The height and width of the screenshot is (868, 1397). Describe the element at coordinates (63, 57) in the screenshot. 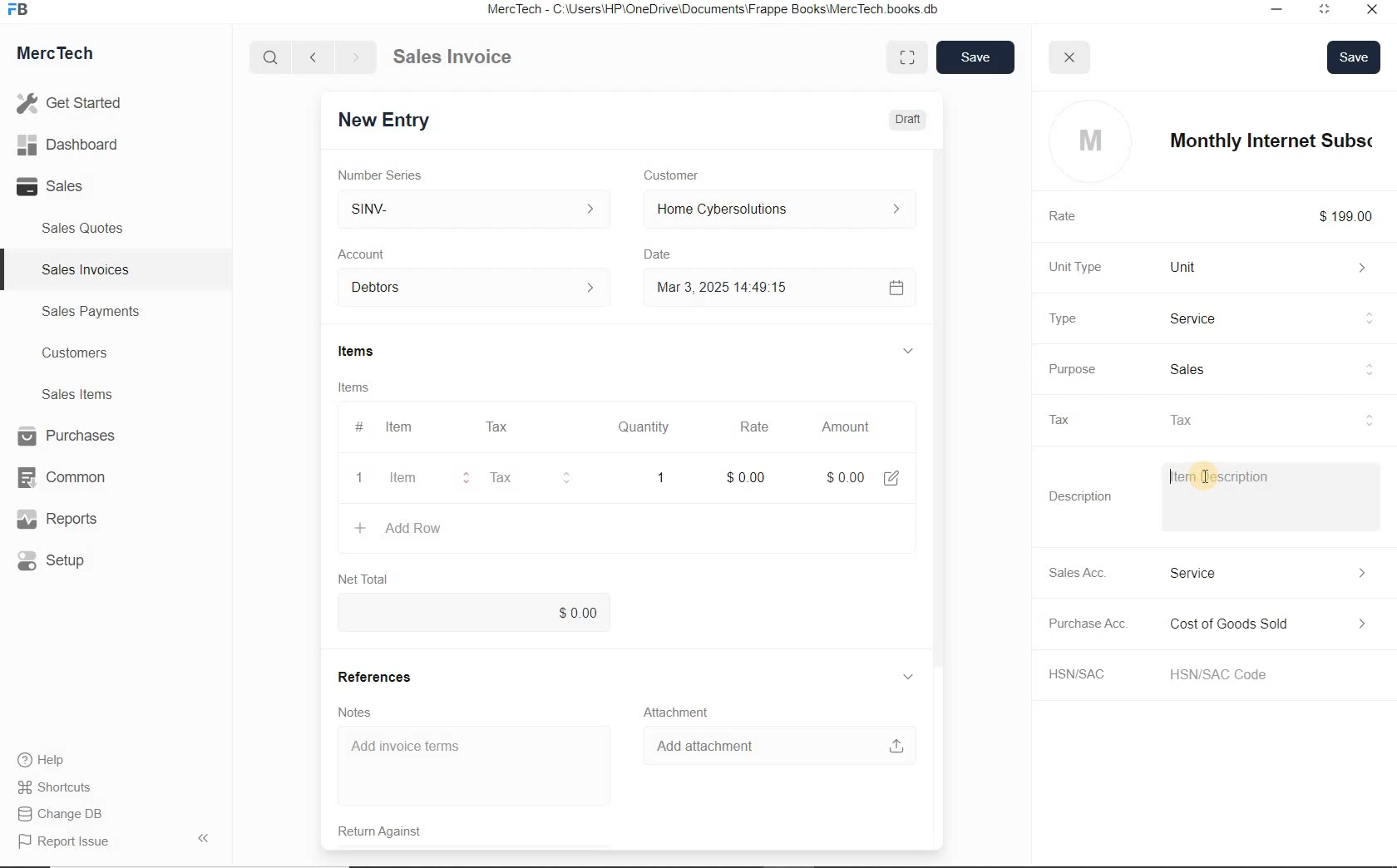

I see `MercTech` at that location.